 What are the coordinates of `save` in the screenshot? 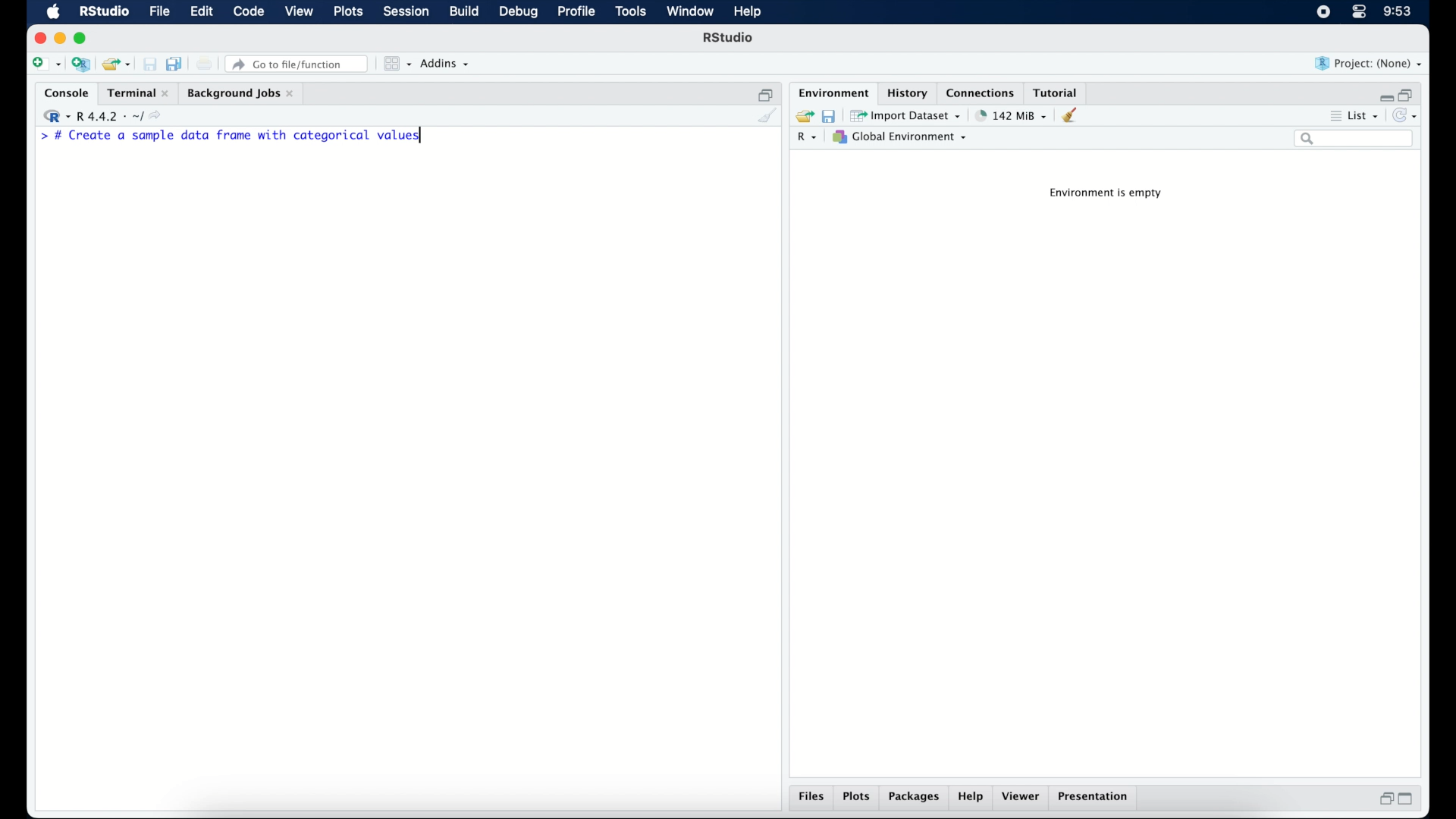 It's located at (147, 61).